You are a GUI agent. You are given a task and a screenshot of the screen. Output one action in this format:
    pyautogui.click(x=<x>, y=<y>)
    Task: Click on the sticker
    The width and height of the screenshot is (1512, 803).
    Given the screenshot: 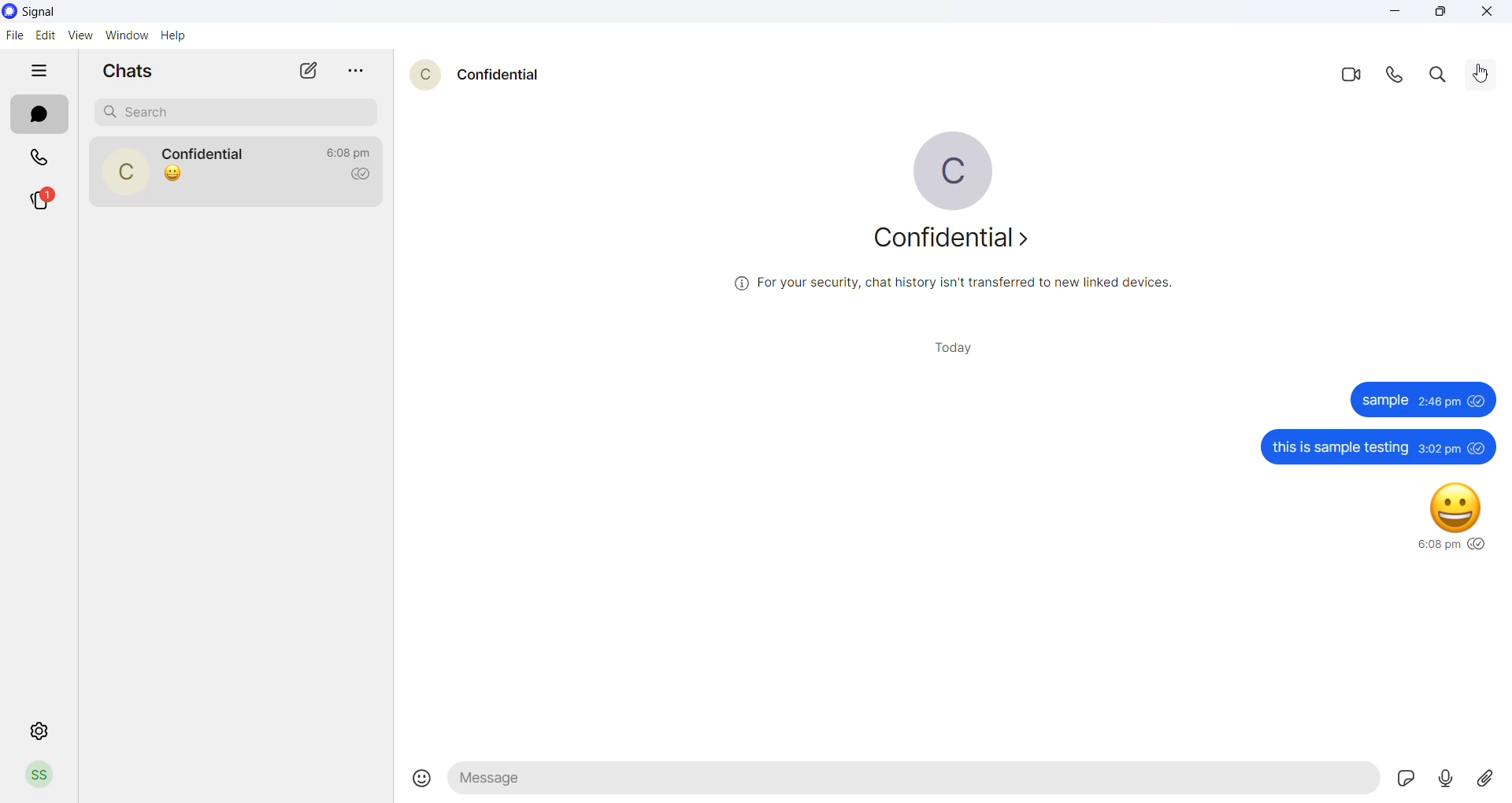 What is the action you would take?
    pyautogui.click(x=1403, y=779)
    